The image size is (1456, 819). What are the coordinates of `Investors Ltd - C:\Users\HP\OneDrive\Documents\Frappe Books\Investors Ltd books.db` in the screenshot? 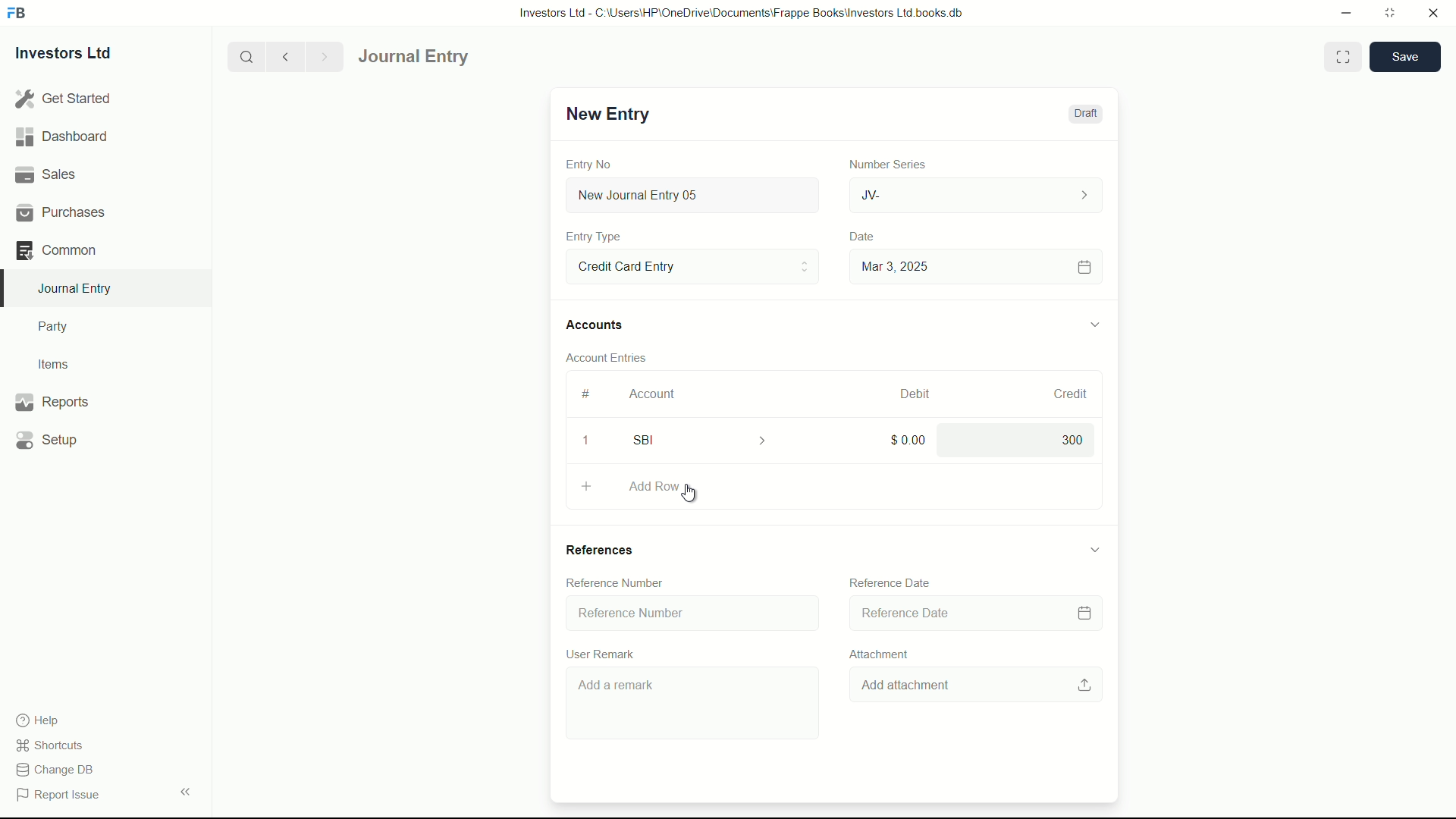 It's located at (743, 12).